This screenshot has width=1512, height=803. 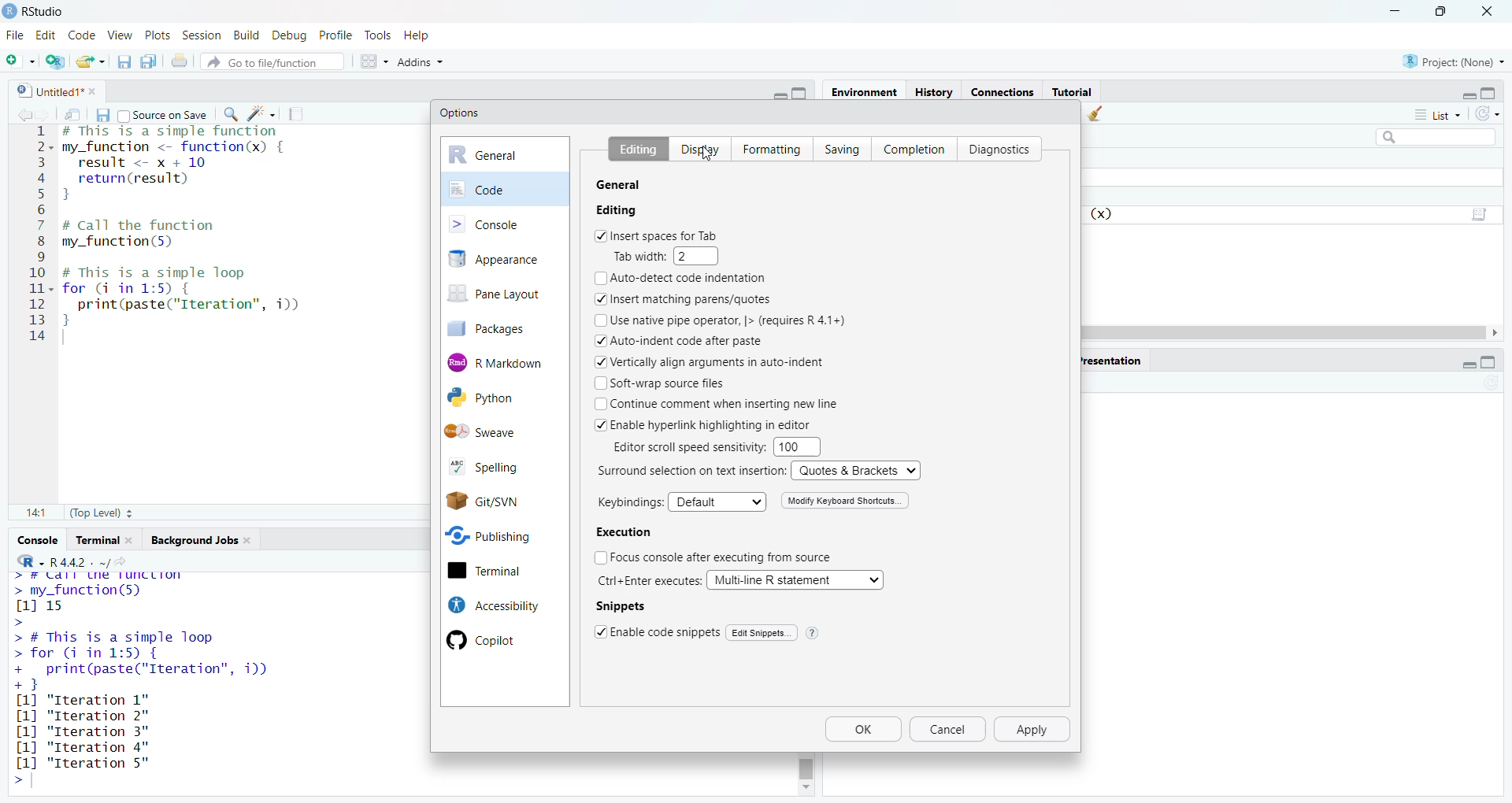 I want to click on Enable hyperlink highlighting in editor, so click(x=709, y=424).